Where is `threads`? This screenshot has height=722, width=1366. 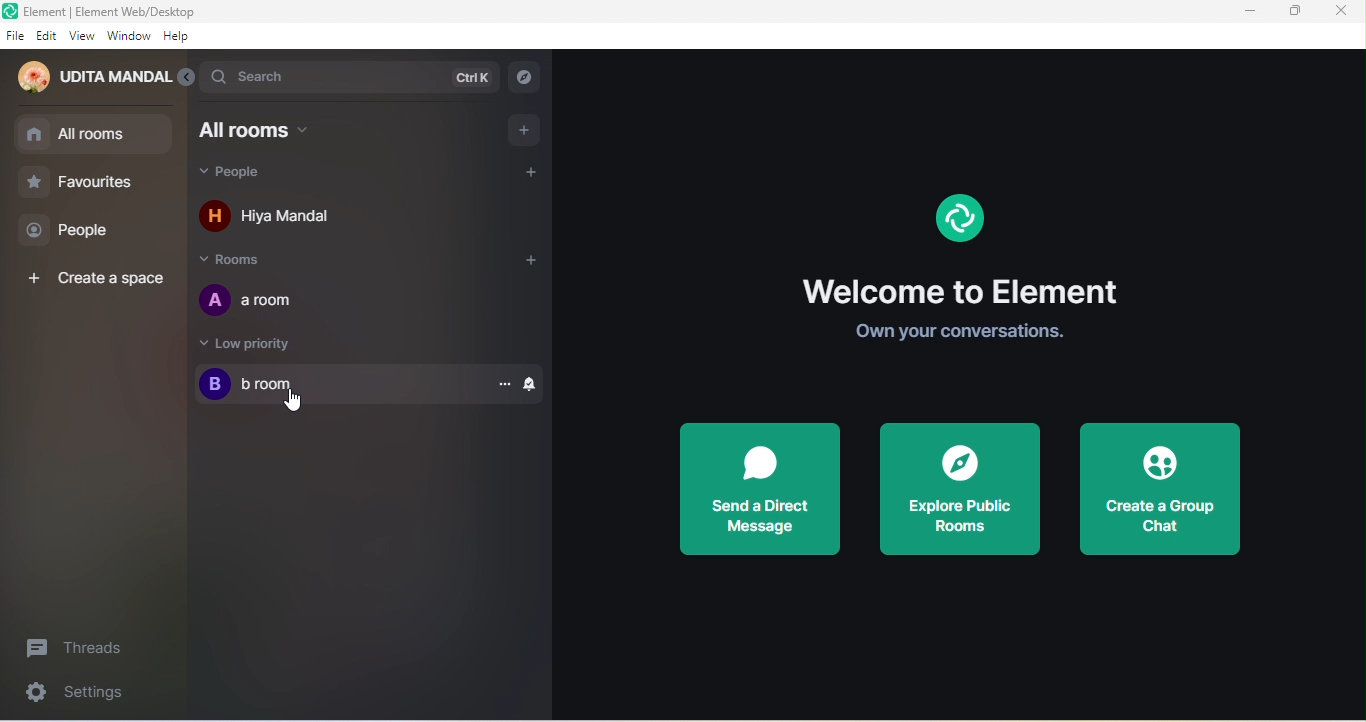 threads is located at coordinates (88, 643).